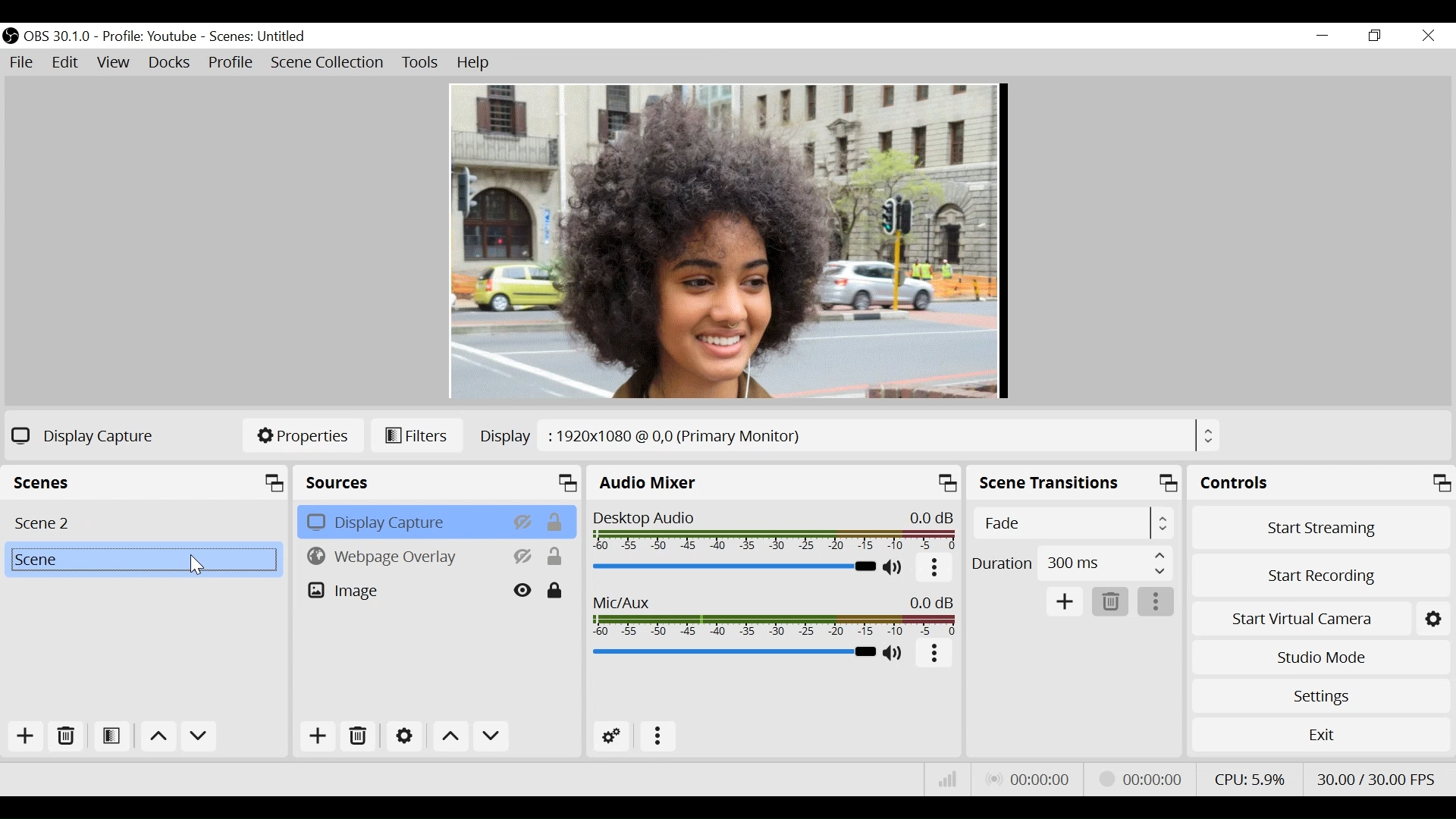 This screenshot has height=819, width=1456. Describe the element at coordinates (945, 778) in the screenshot. I see `Bitrate` at that location.